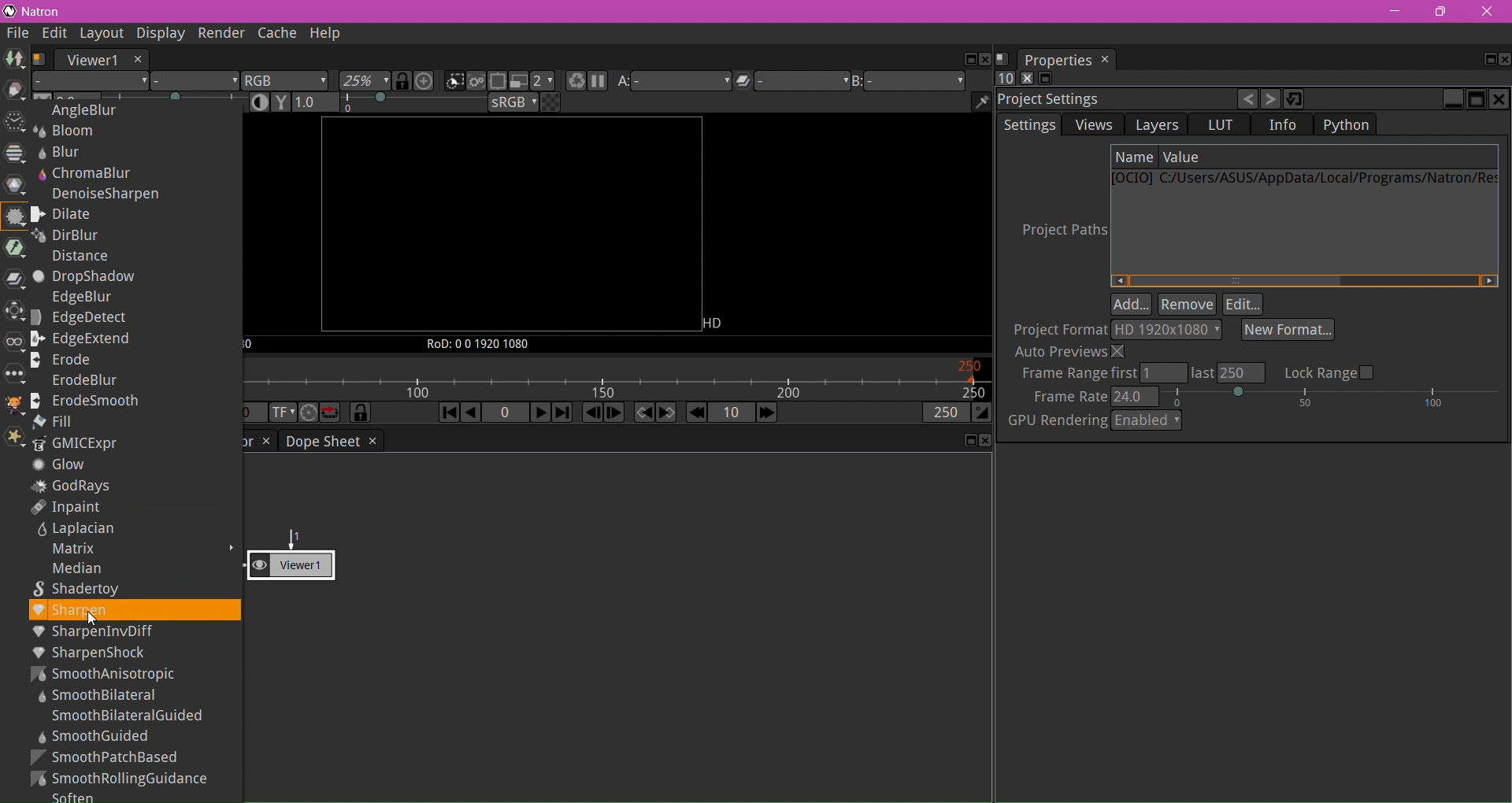 The image size is (1512, 803). What do you see at coordinates (365, 82) in the screenshot?
I see `Zoom applied to the image on the viewer` at bounding box center [365, 82].